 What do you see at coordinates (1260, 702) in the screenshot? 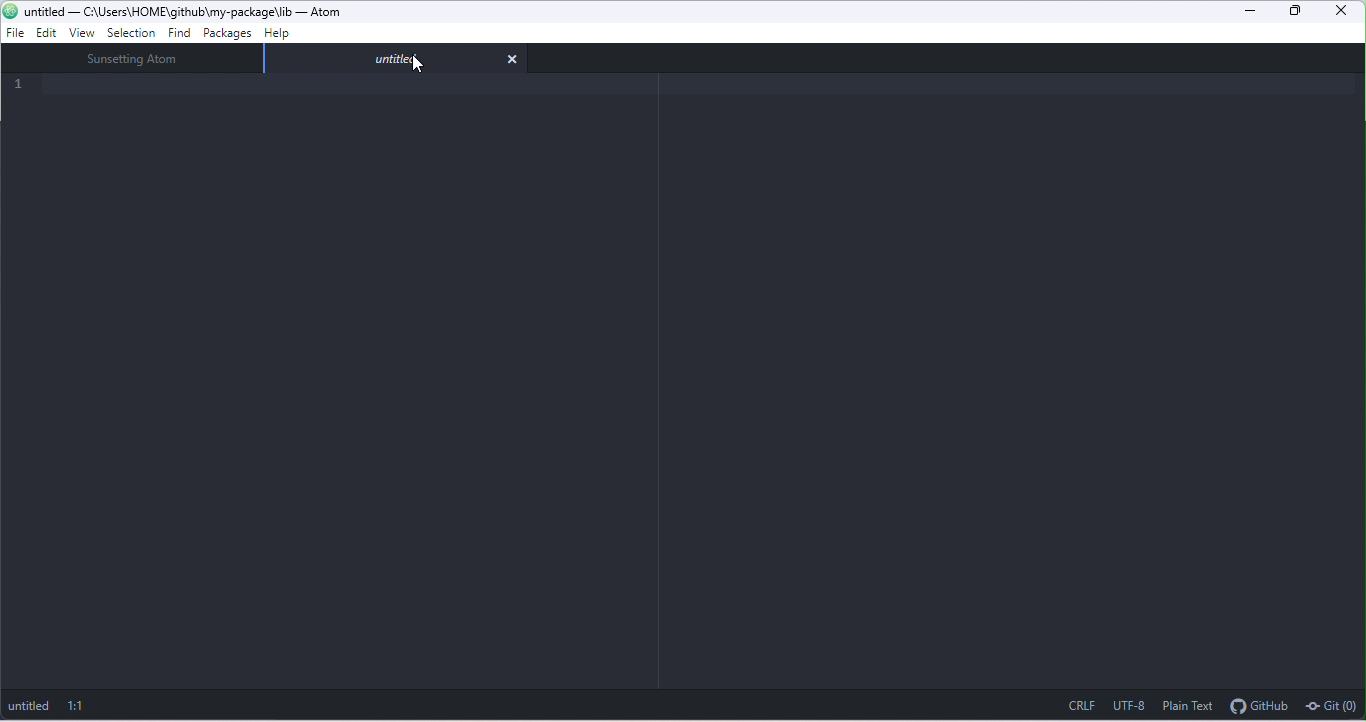
I see `github` at bounding box center [1260, 702].